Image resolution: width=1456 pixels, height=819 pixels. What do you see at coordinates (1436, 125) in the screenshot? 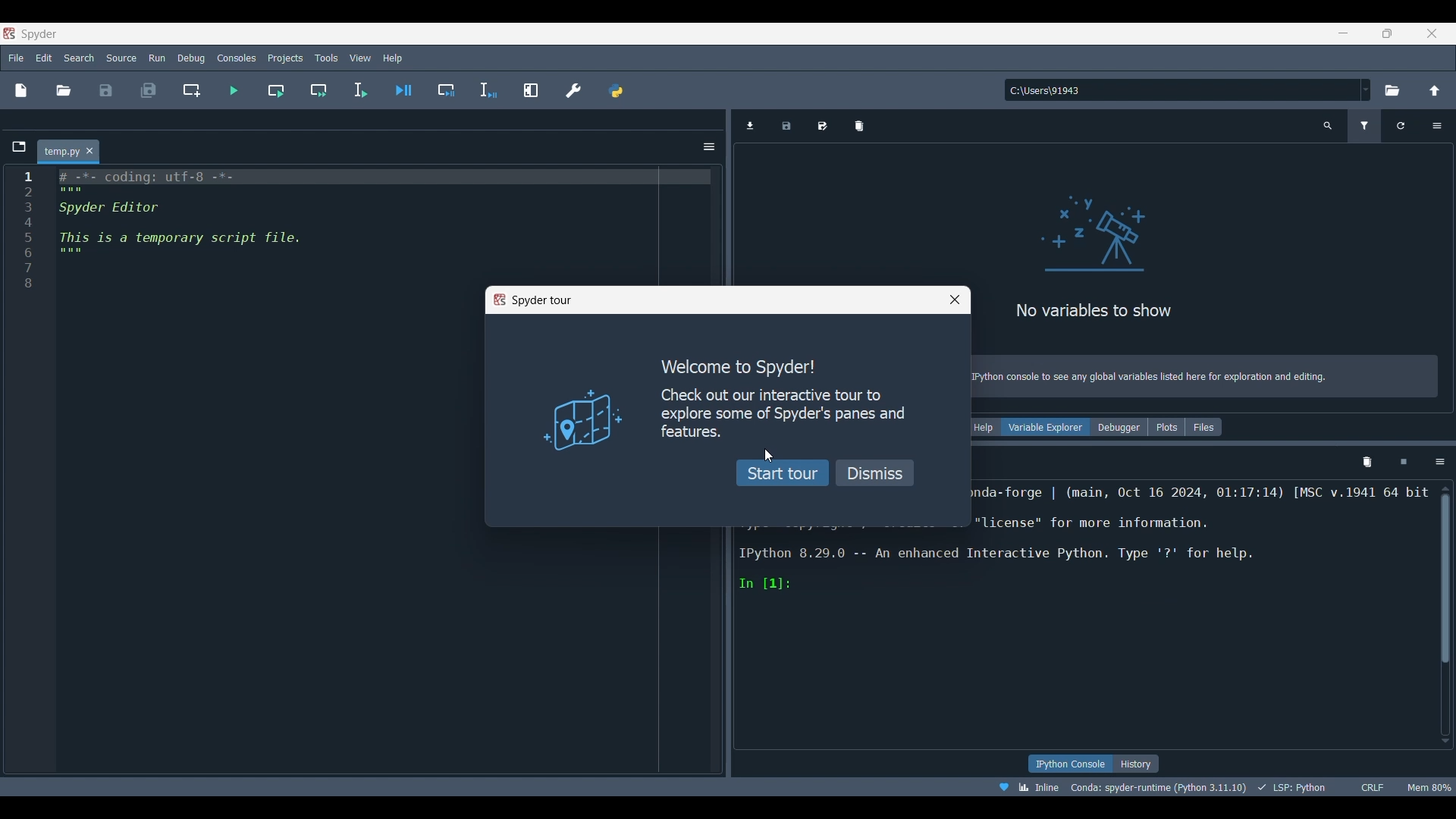
I see `Options` at bounding box center [1436, 125].